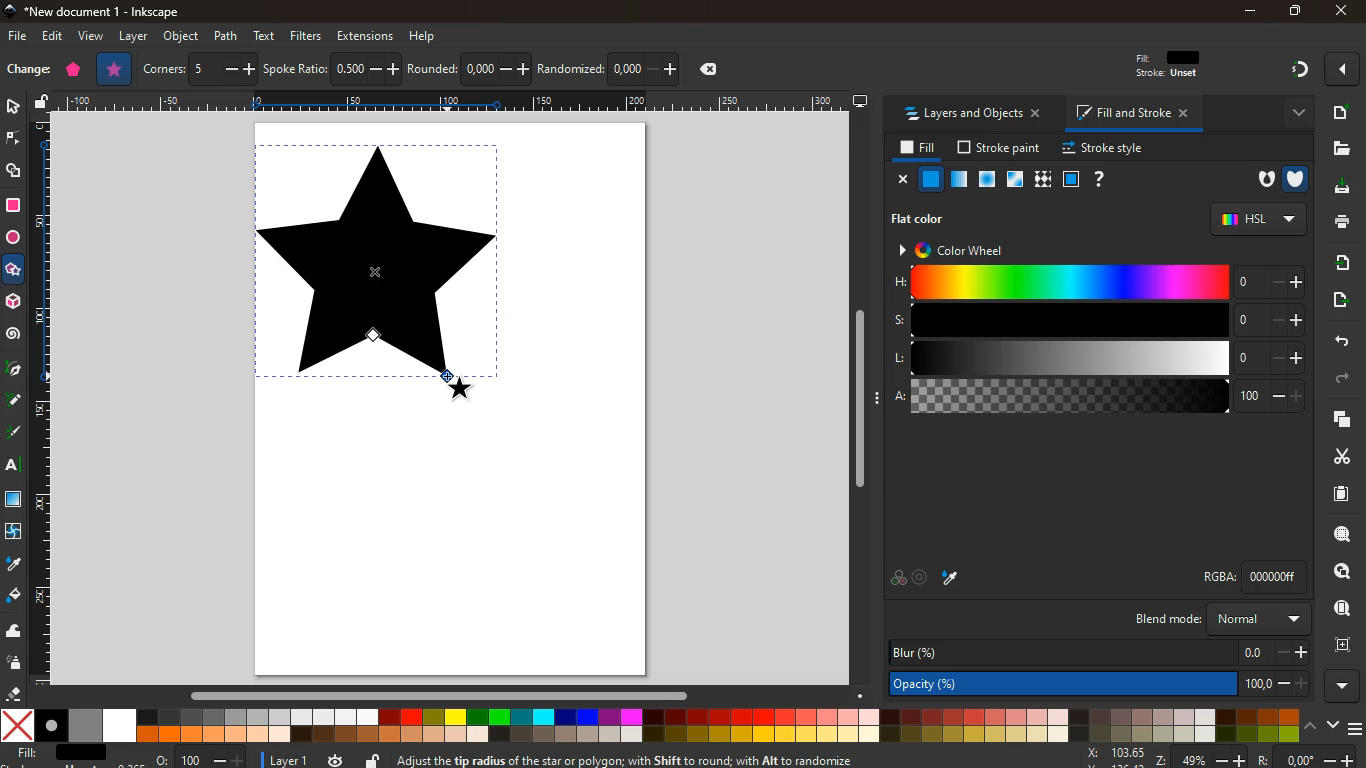 The height and width of the screenshot is (768, 1366). Describe the element at coordinates (1128, 115) in the screenshot. I see `fill and stroke` at that location.